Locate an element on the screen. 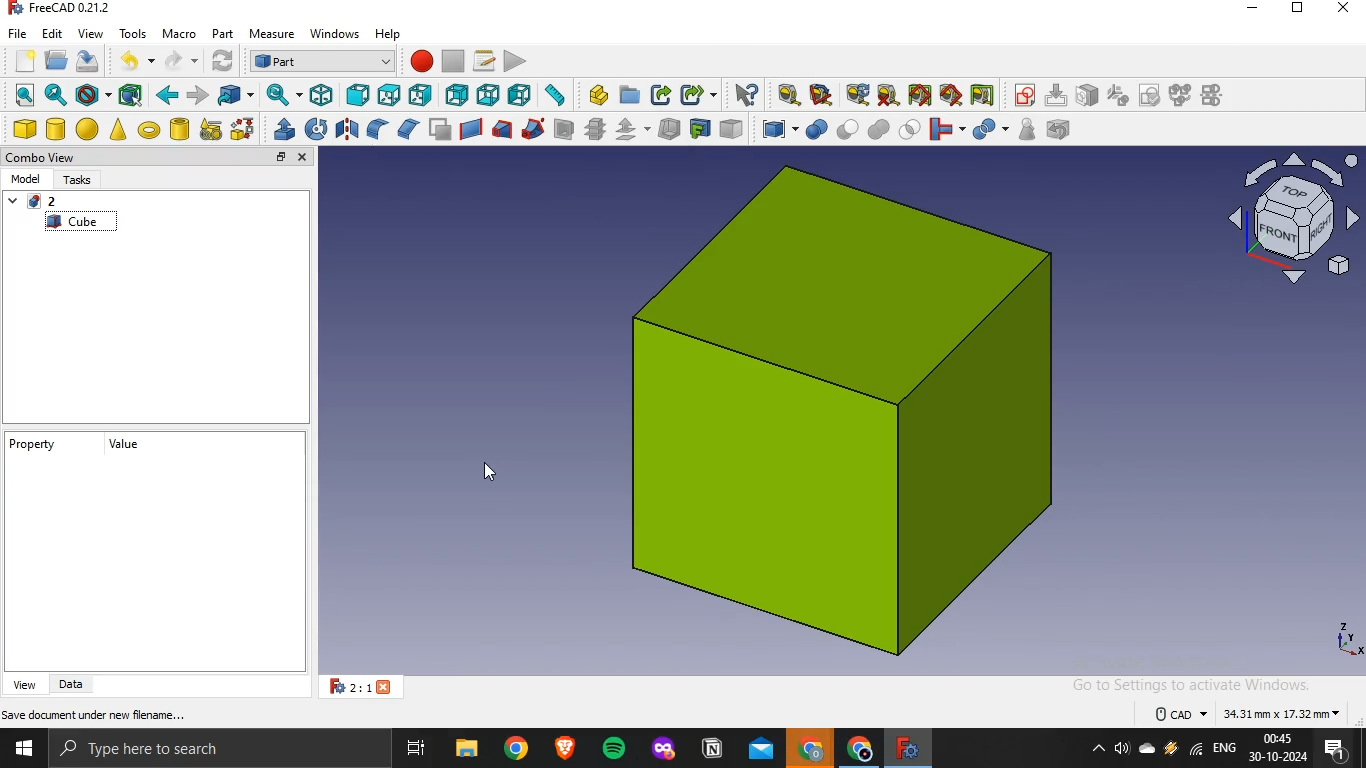 The width and height of the screenshot is (1366, 768). notifications is located at coordinates (1336, 749).